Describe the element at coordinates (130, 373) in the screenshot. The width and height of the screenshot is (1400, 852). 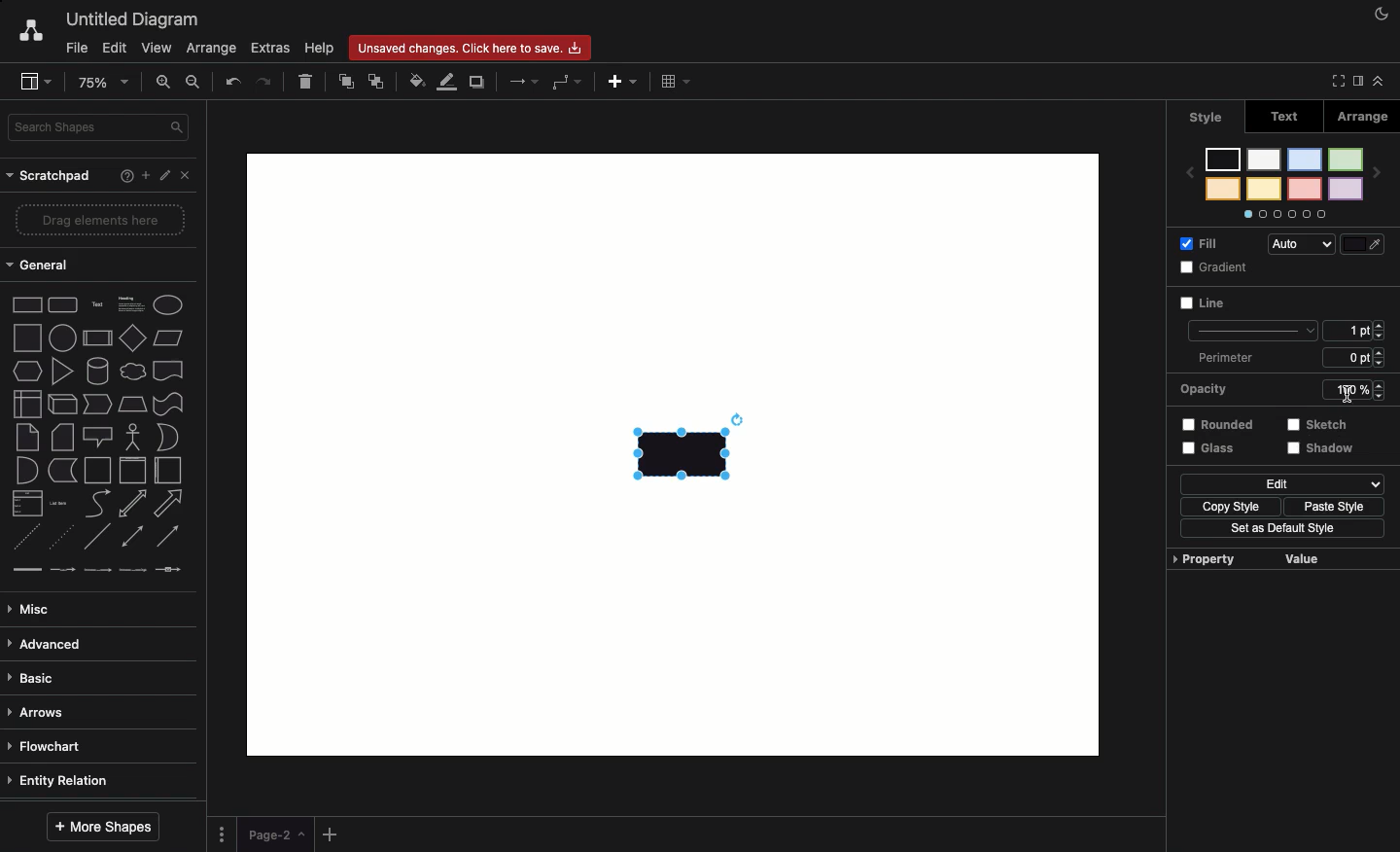
I see `cloud` at that location.